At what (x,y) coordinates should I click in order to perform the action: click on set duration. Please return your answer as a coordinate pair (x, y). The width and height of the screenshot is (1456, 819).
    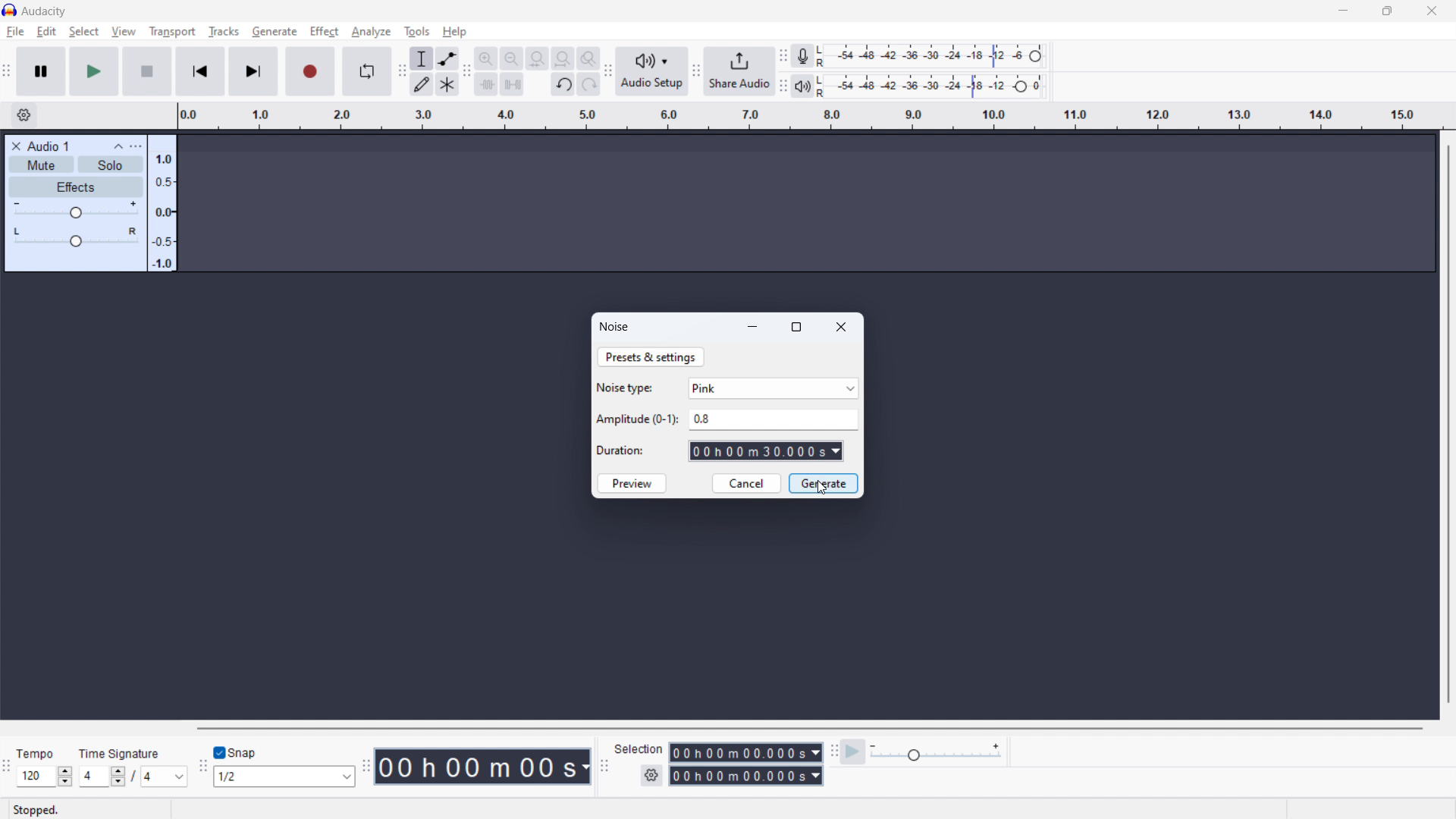
    Looking at the image, I should click on (767, 453).